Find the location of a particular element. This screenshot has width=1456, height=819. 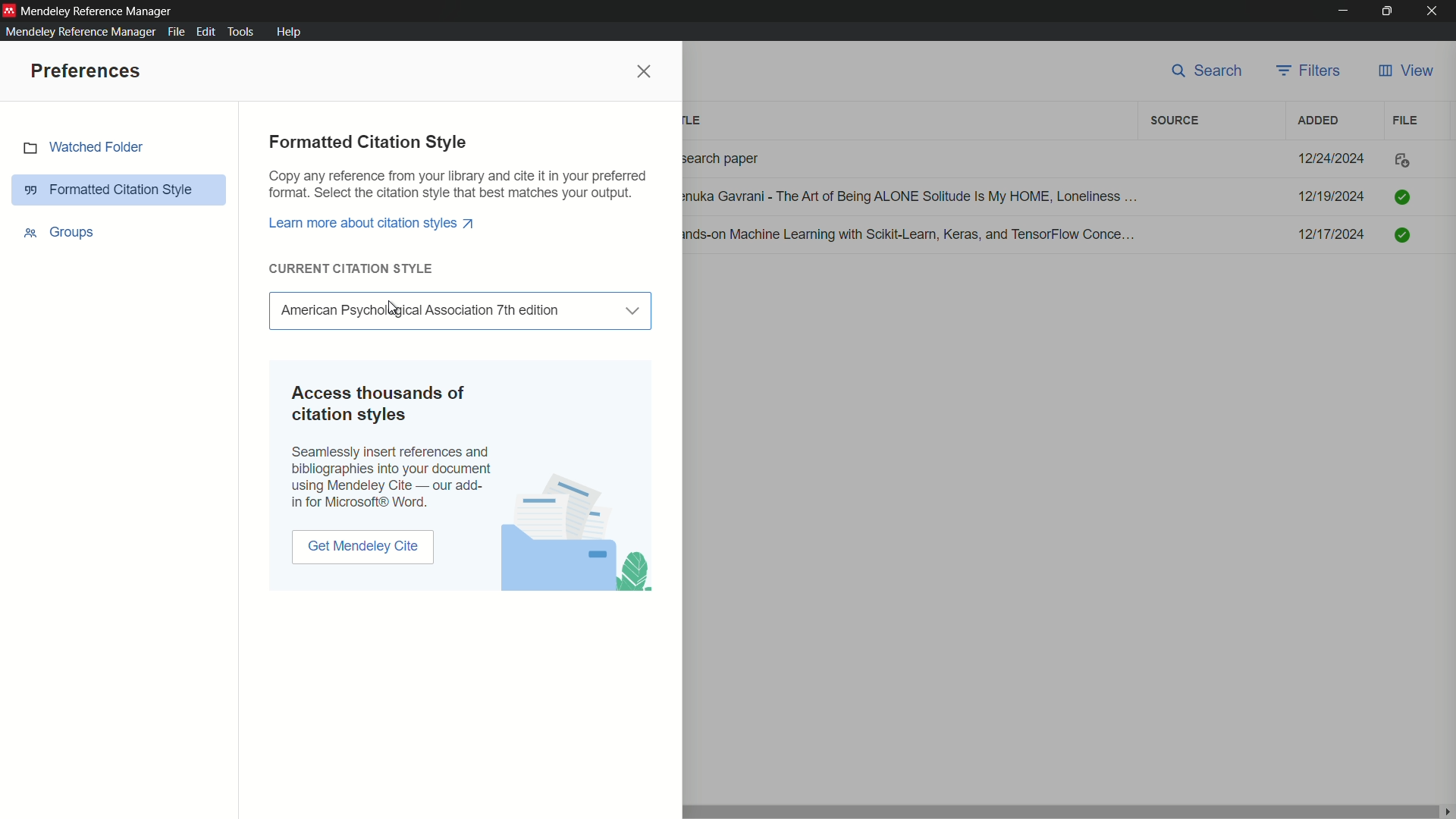

file is located at coordinates (1406, 120).